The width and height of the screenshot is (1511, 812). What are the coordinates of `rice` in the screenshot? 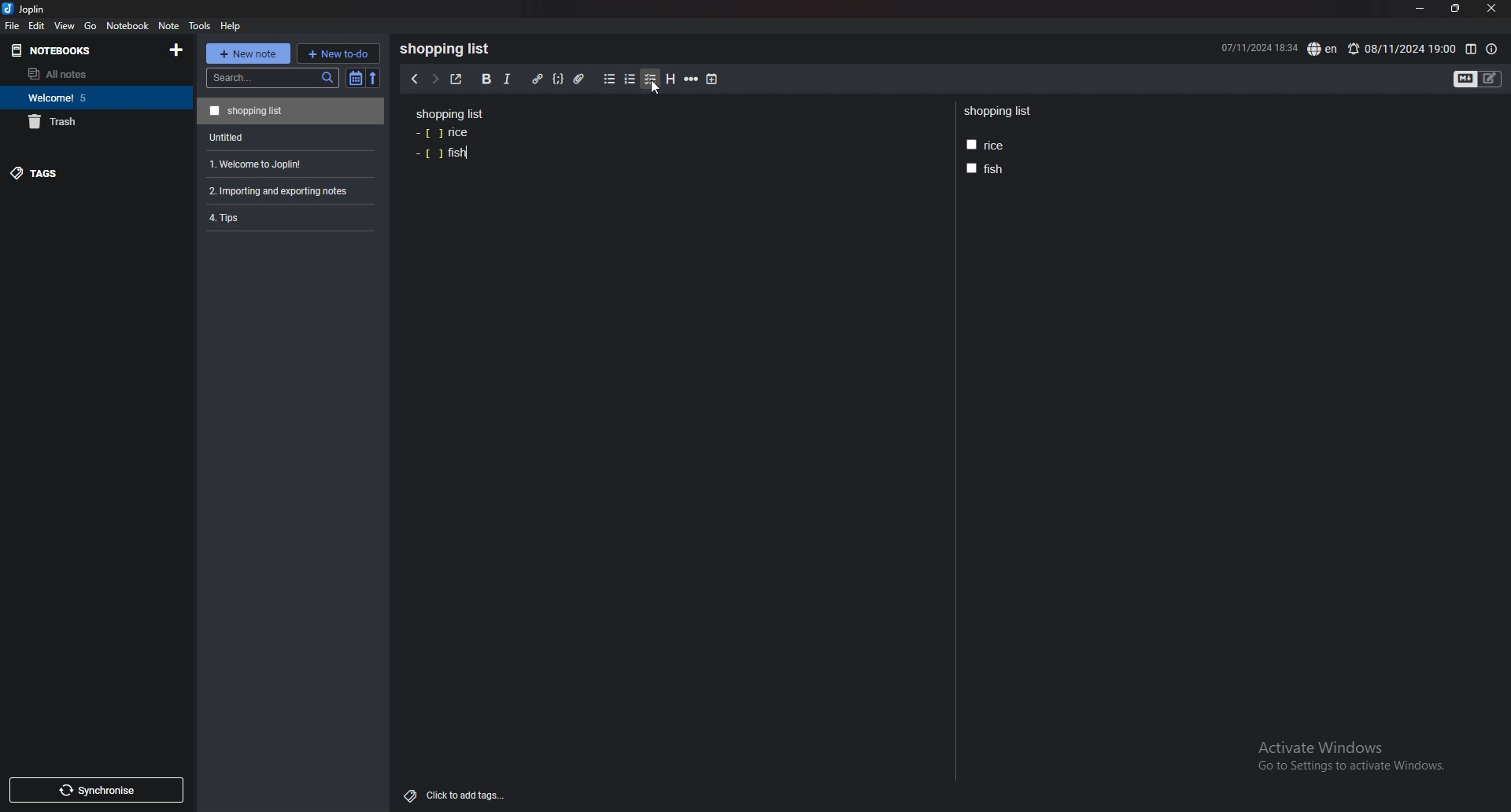 It's located at (444, 134).